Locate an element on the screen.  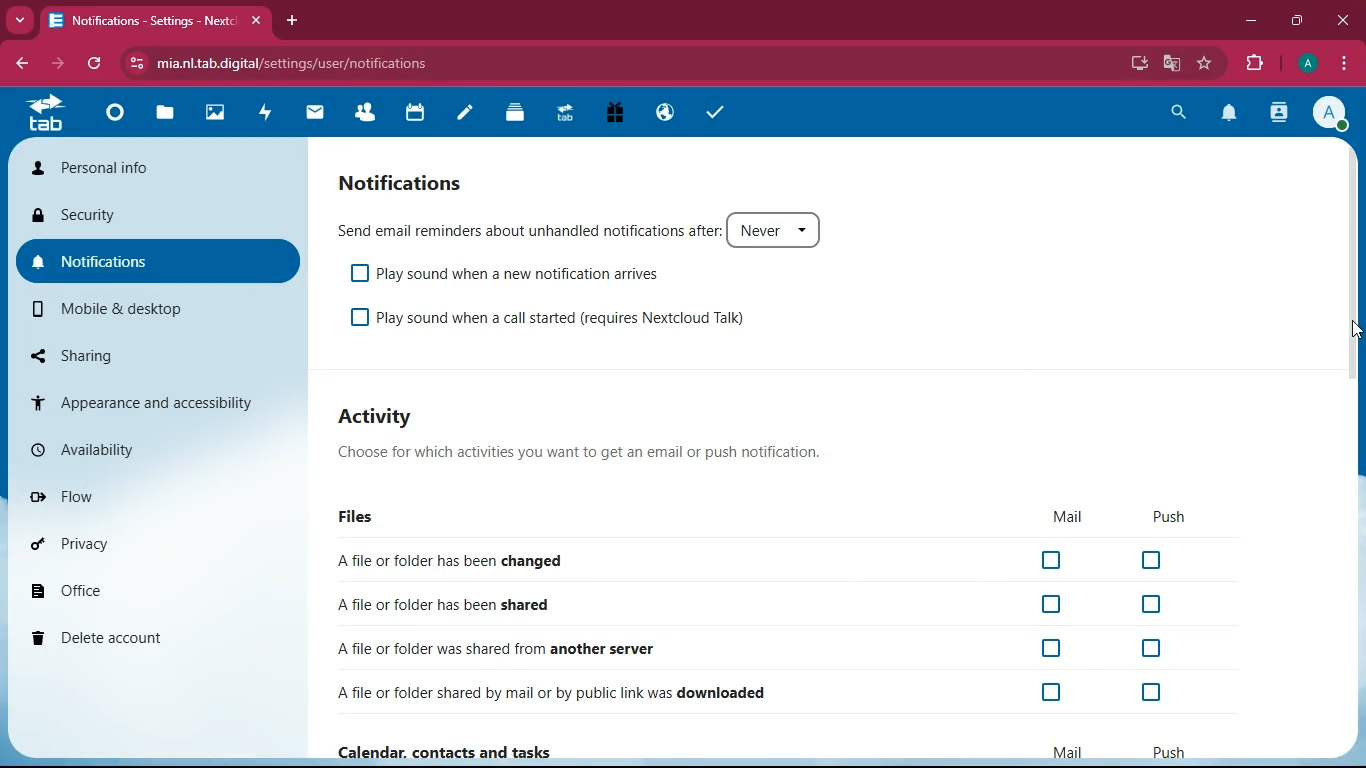
off is located at coordinates (1157, 650).